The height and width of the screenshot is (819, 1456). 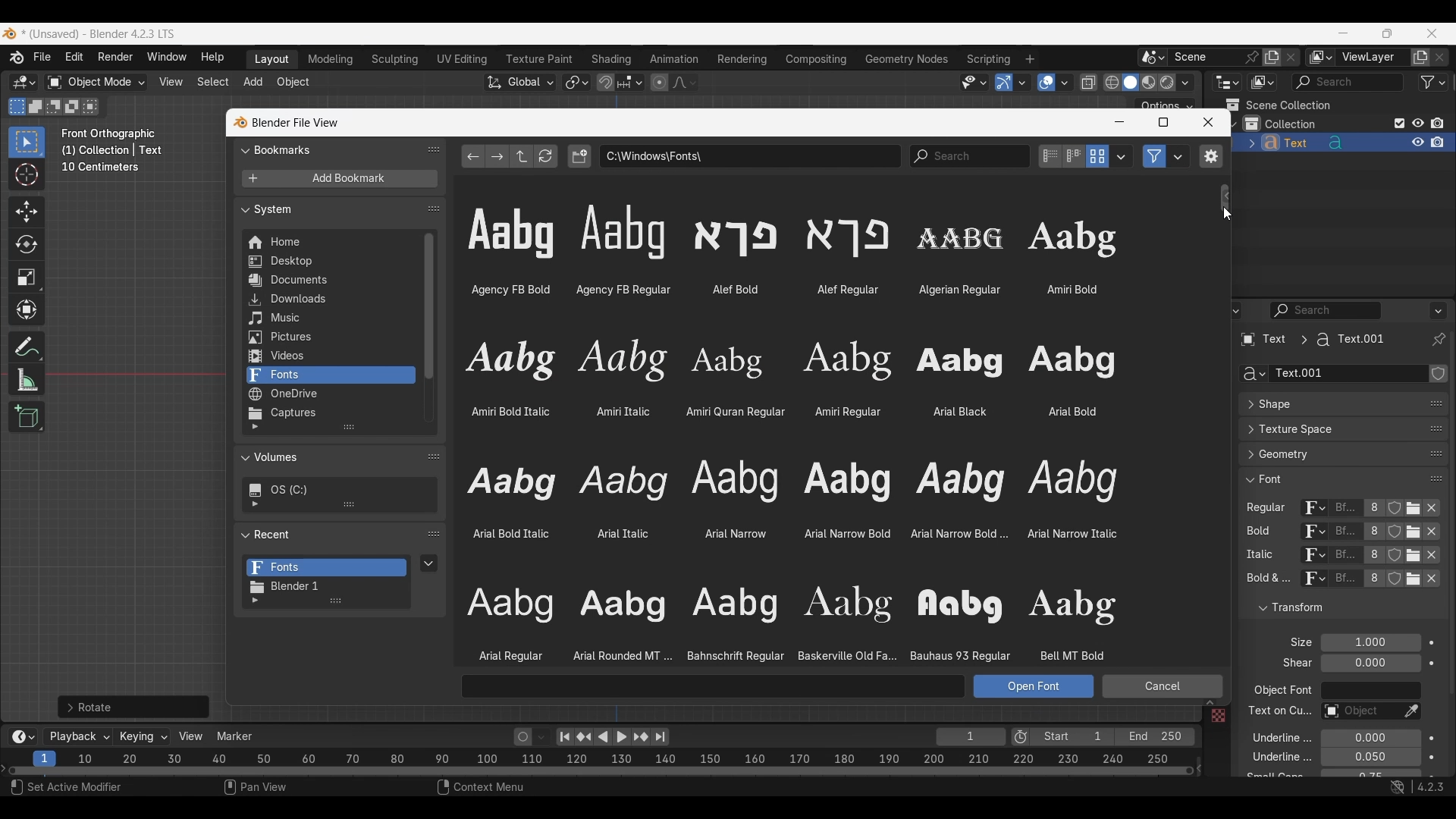 What do you see at coordinates (1439, 375) in the screenshot?
I see `Change order in the list` at bounding box center [1439, 375].